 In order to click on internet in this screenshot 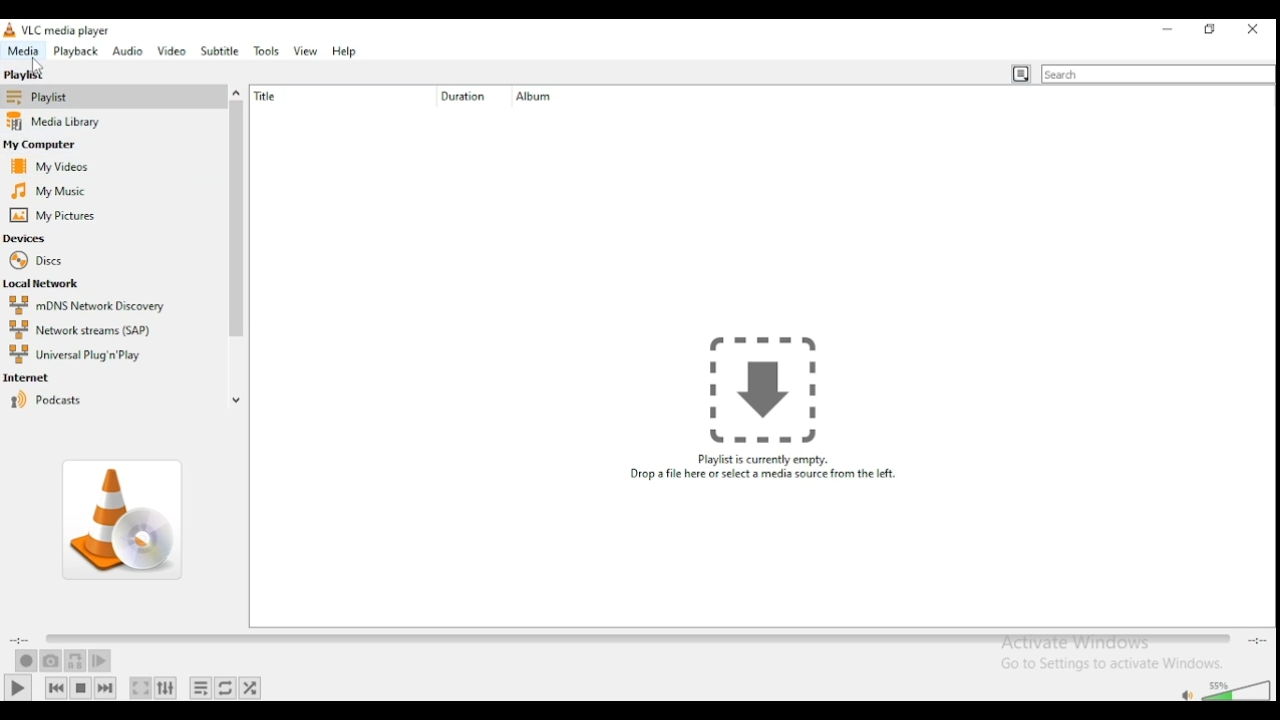, I will do `click(30, 378)`.